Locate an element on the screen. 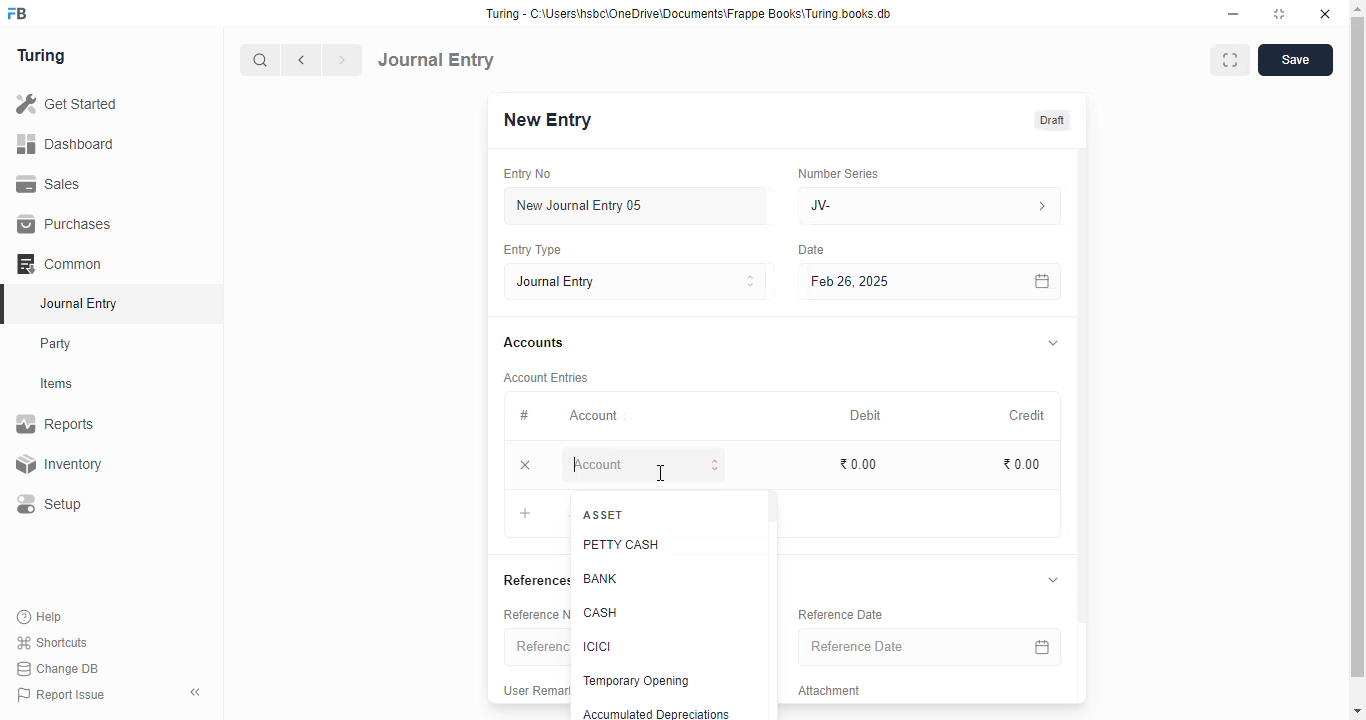  purchases is located at coordinates (64, 224).